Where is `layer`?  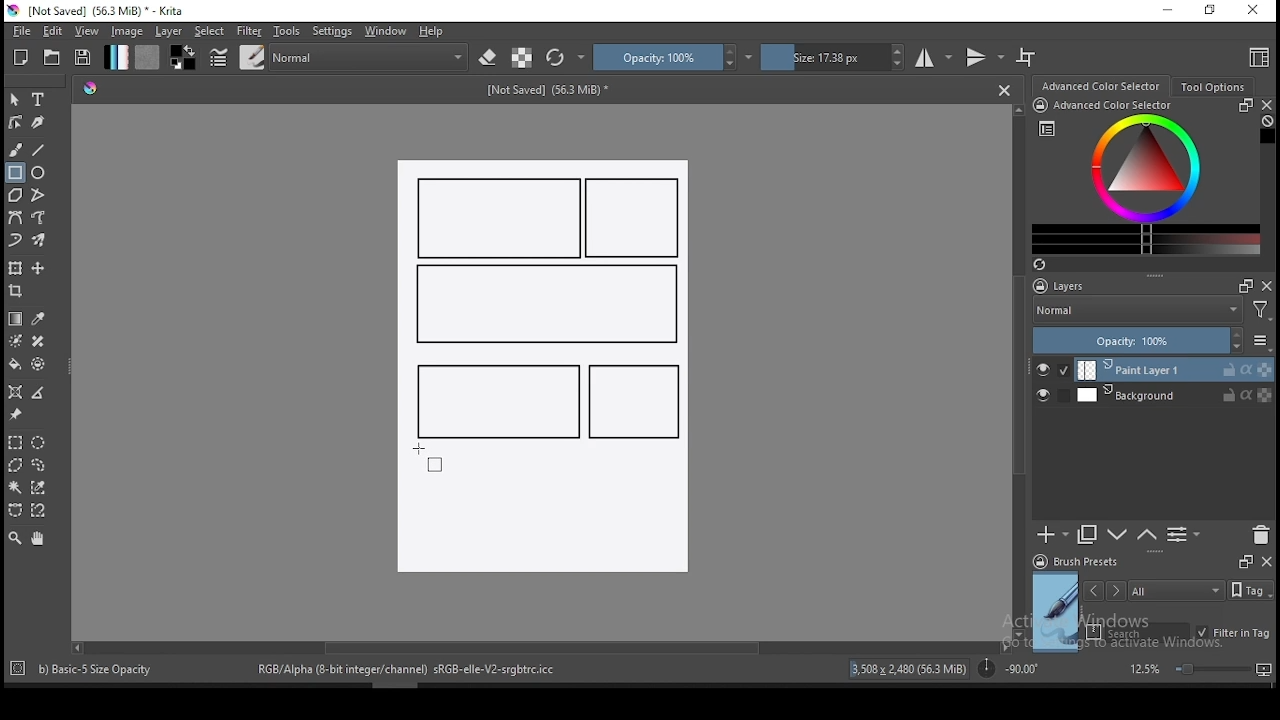 layer is located at coordinates (170, 31).